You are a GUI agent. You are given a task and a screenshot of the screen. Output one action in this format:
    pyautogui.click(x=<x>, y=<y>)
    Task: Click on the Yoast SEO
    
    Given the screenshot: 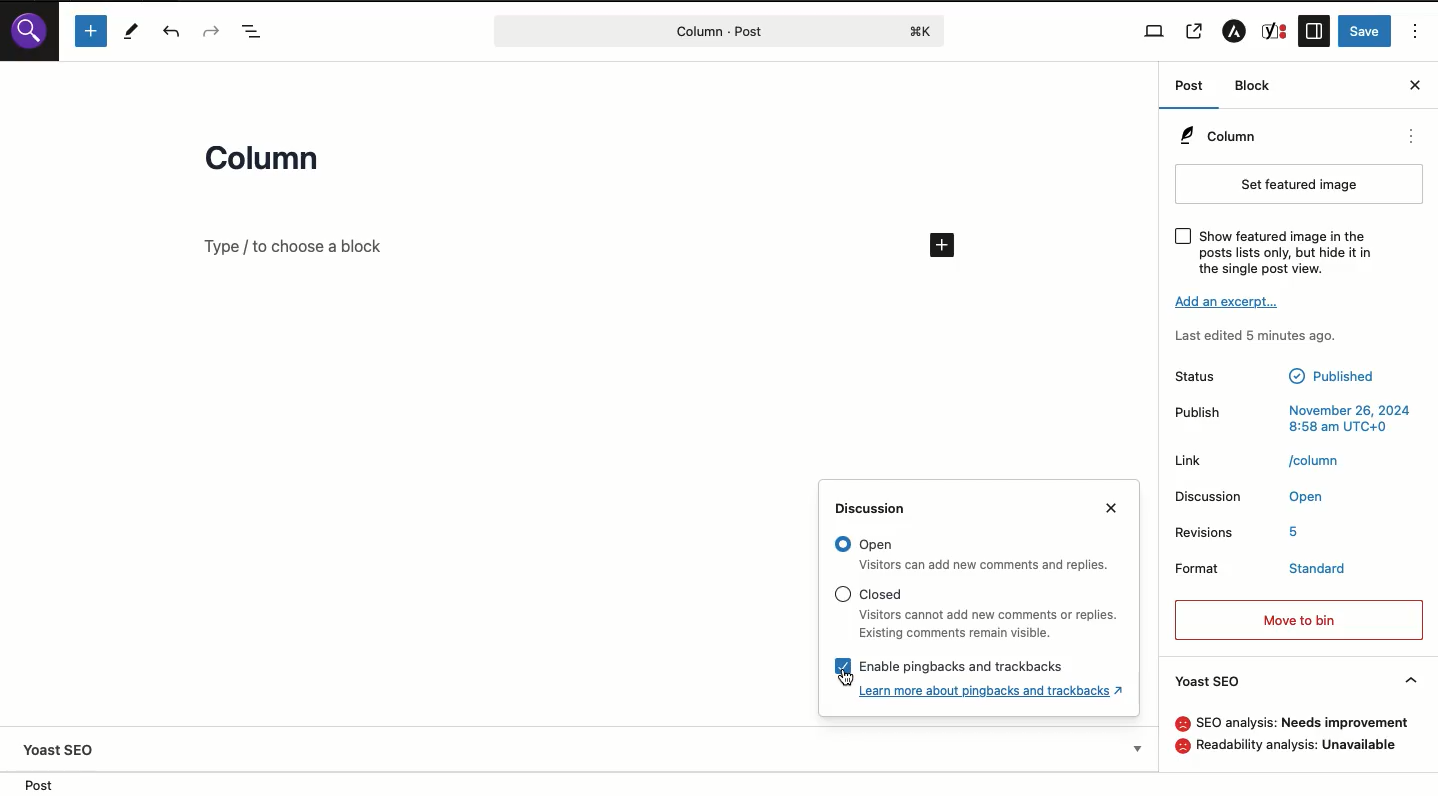 What is the action you would take?
    pyautogui.click(x=59, y=750)
    